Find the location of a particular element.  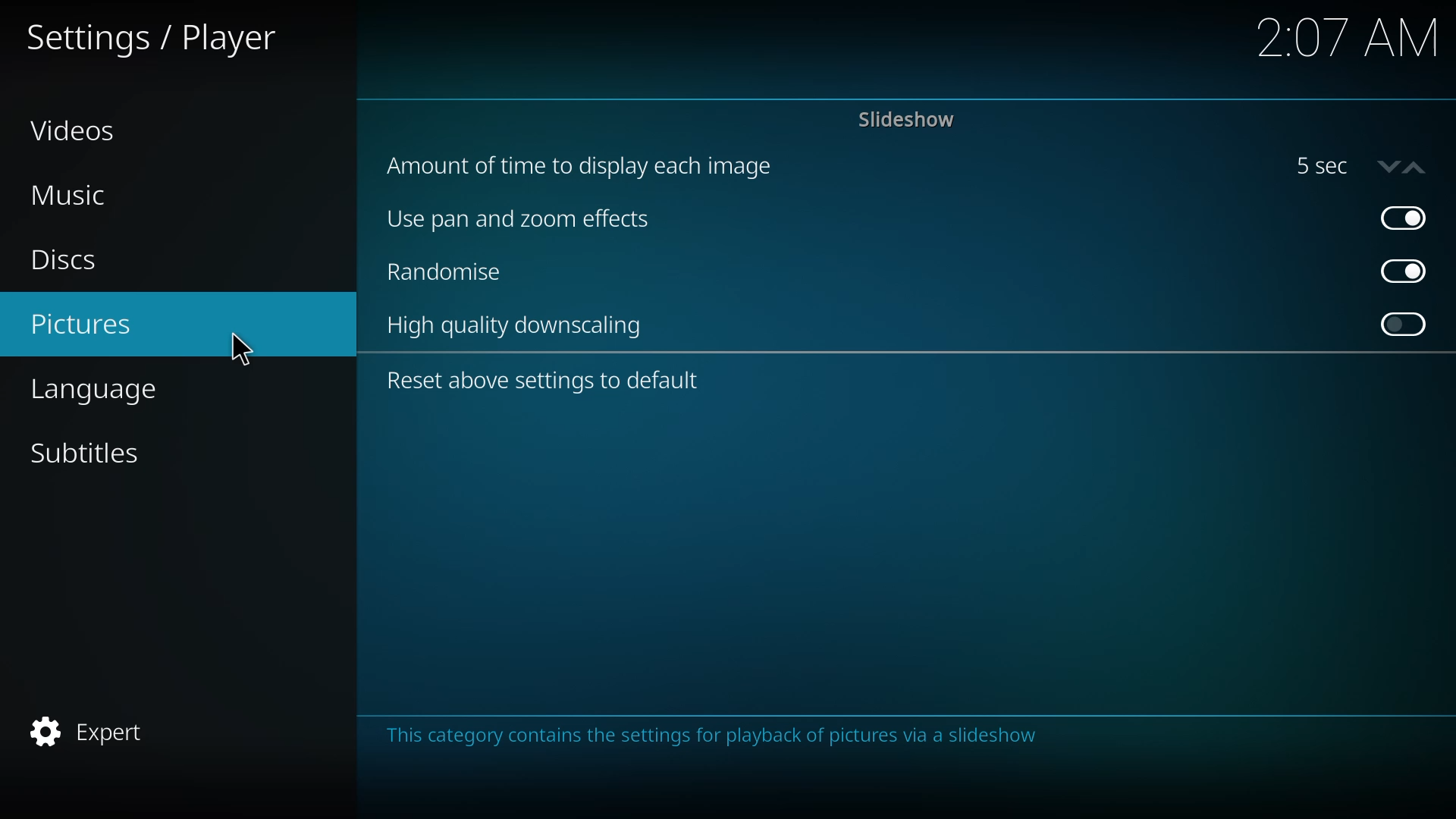

use pan and zoom effects is located at coordinates (528, 221).